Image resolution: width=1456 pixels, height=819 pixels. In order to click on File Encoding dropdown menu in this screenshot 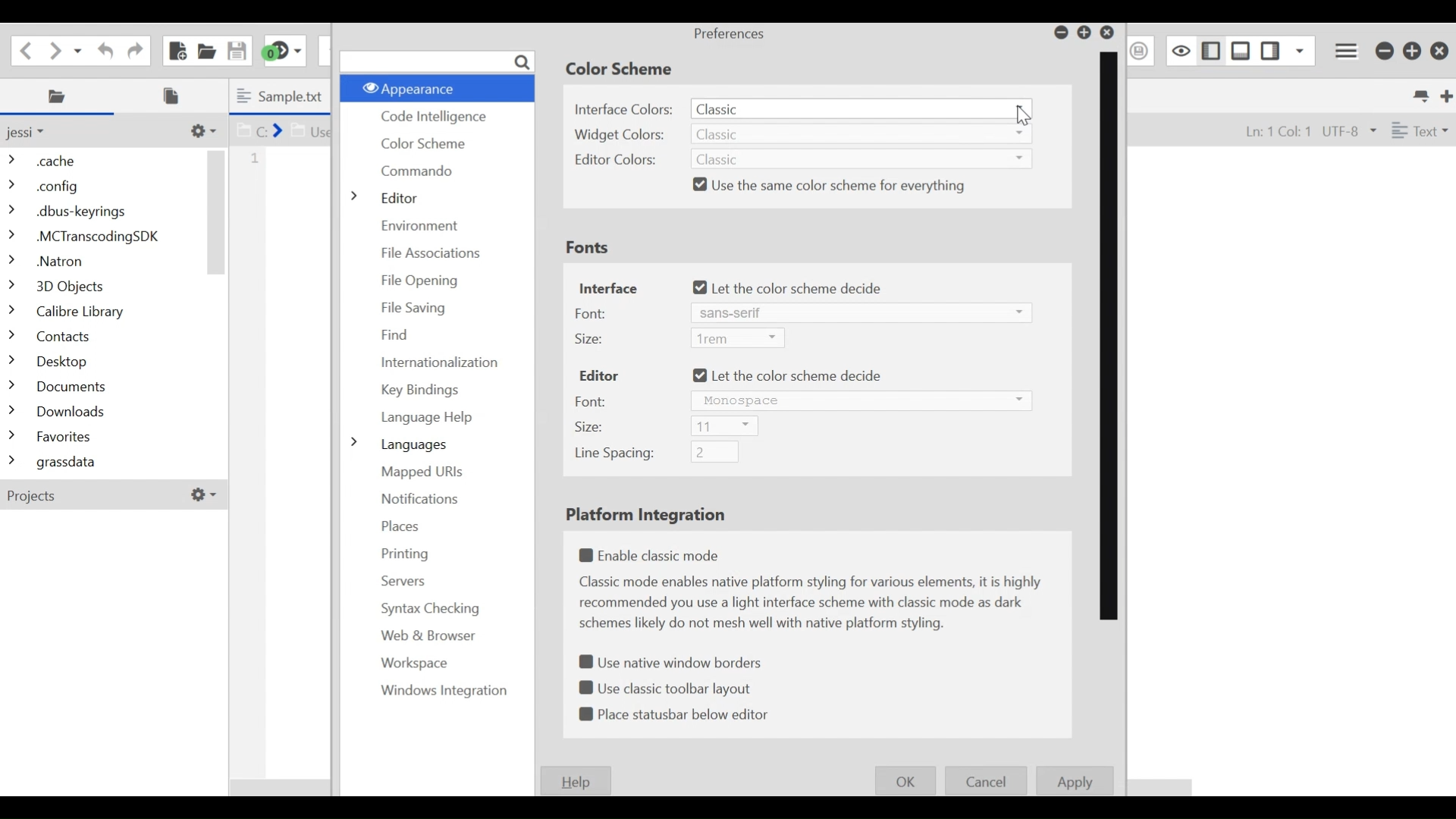, I will do `click(1348, 131)`.